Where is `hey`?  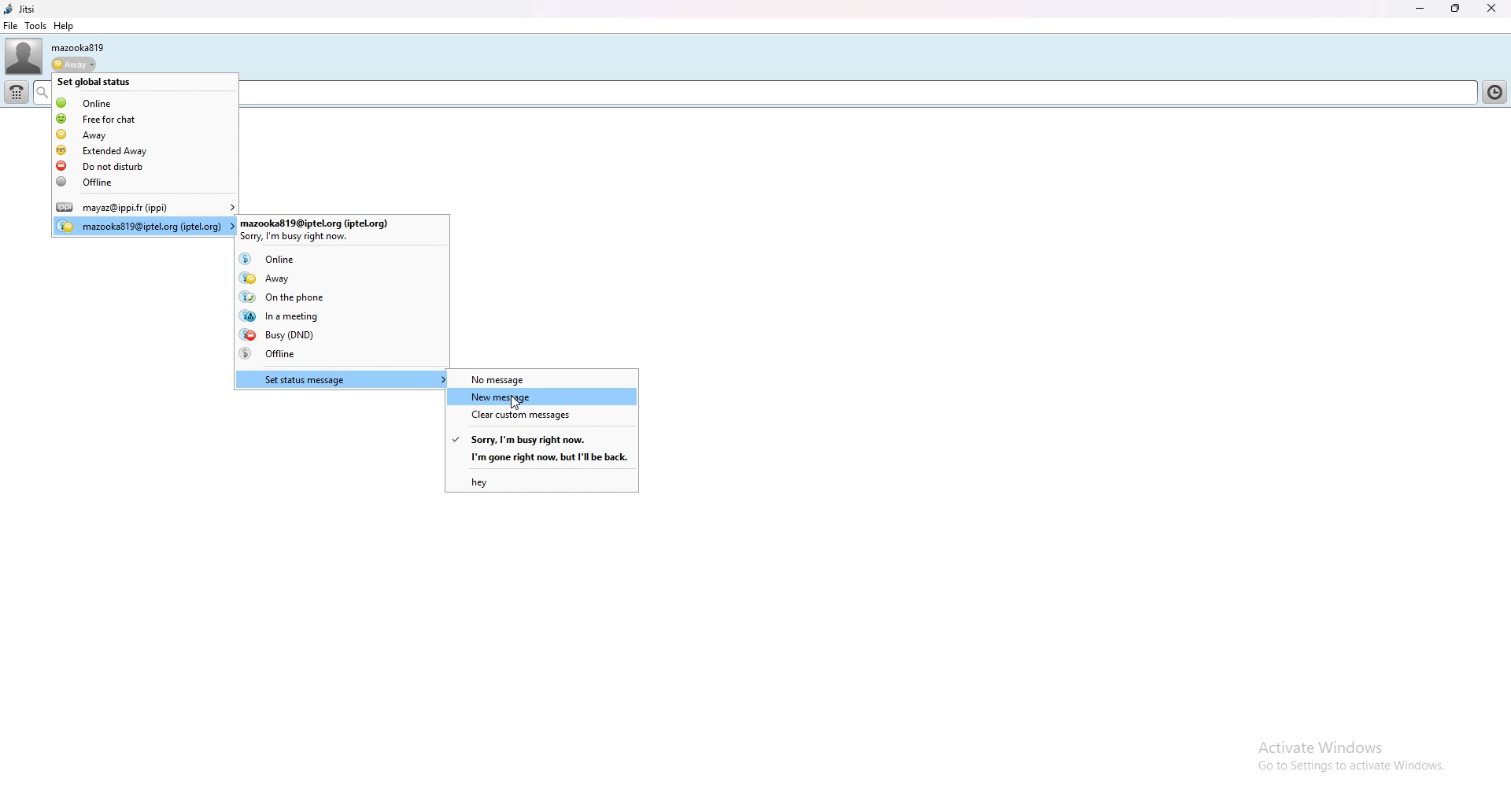 hey is located at coordinates (541, 481).